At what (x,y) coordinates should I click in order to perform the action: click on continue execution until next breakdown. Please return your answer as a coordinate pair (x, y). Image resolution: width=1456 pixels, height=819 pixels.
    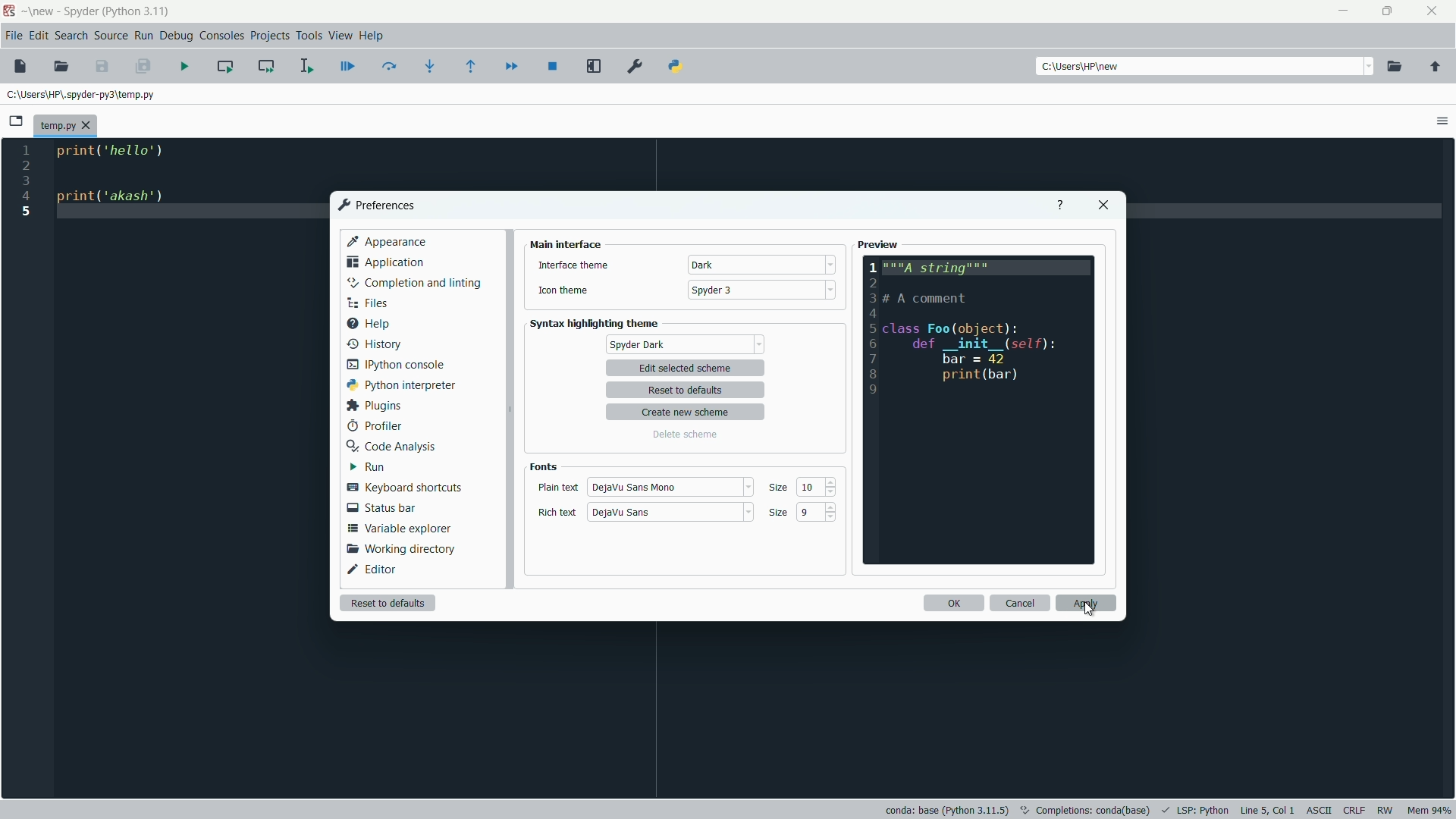
    Looking at the image, I should click on (511, 66).